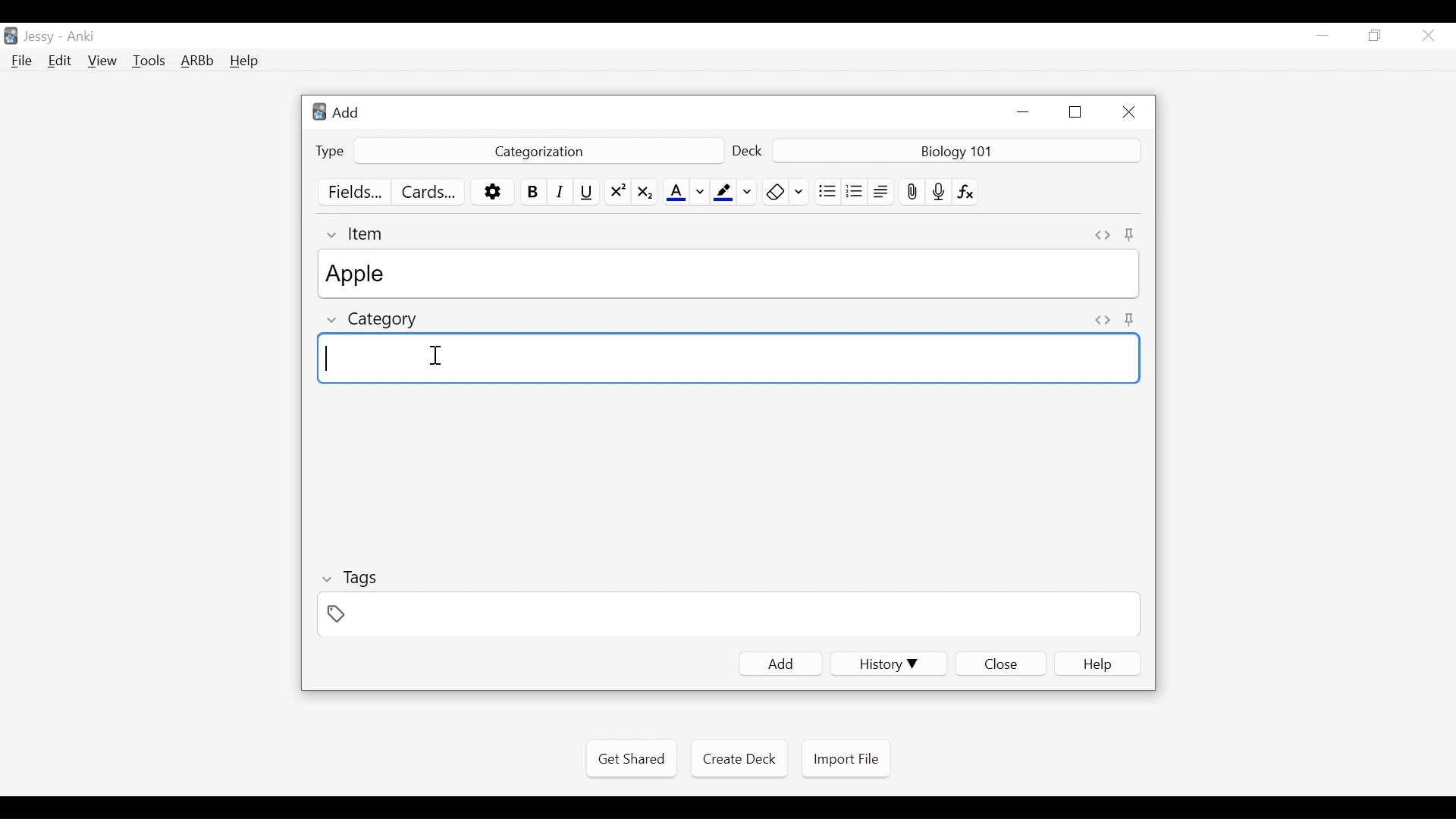  Describe the element at coordinates (375, 322) in the screenshot. I see `Category` at that location.